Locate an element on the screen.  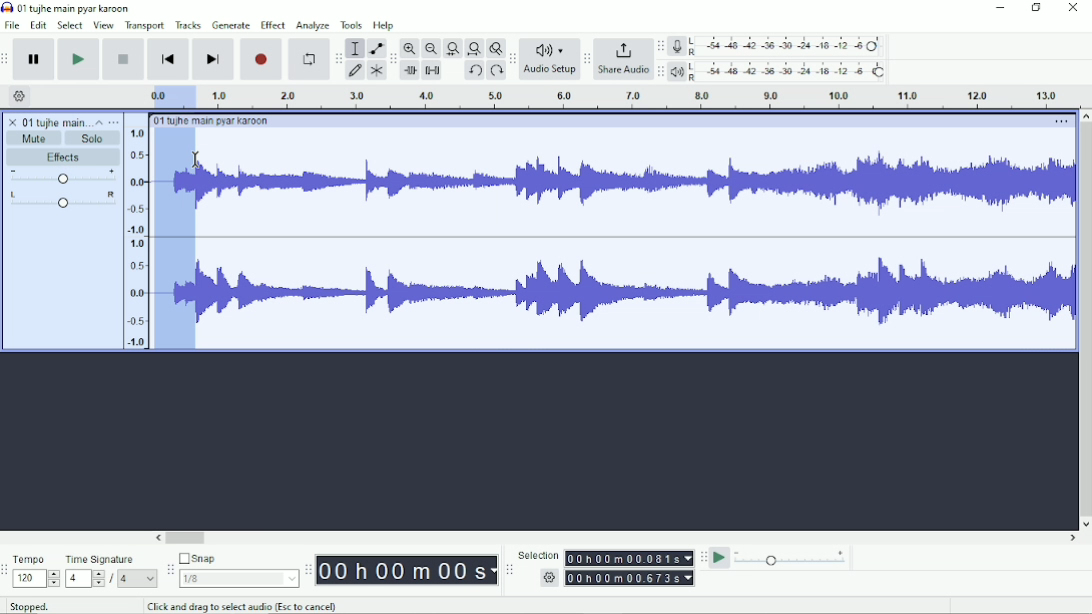
Skip to end is located at coordinates (213, 60).